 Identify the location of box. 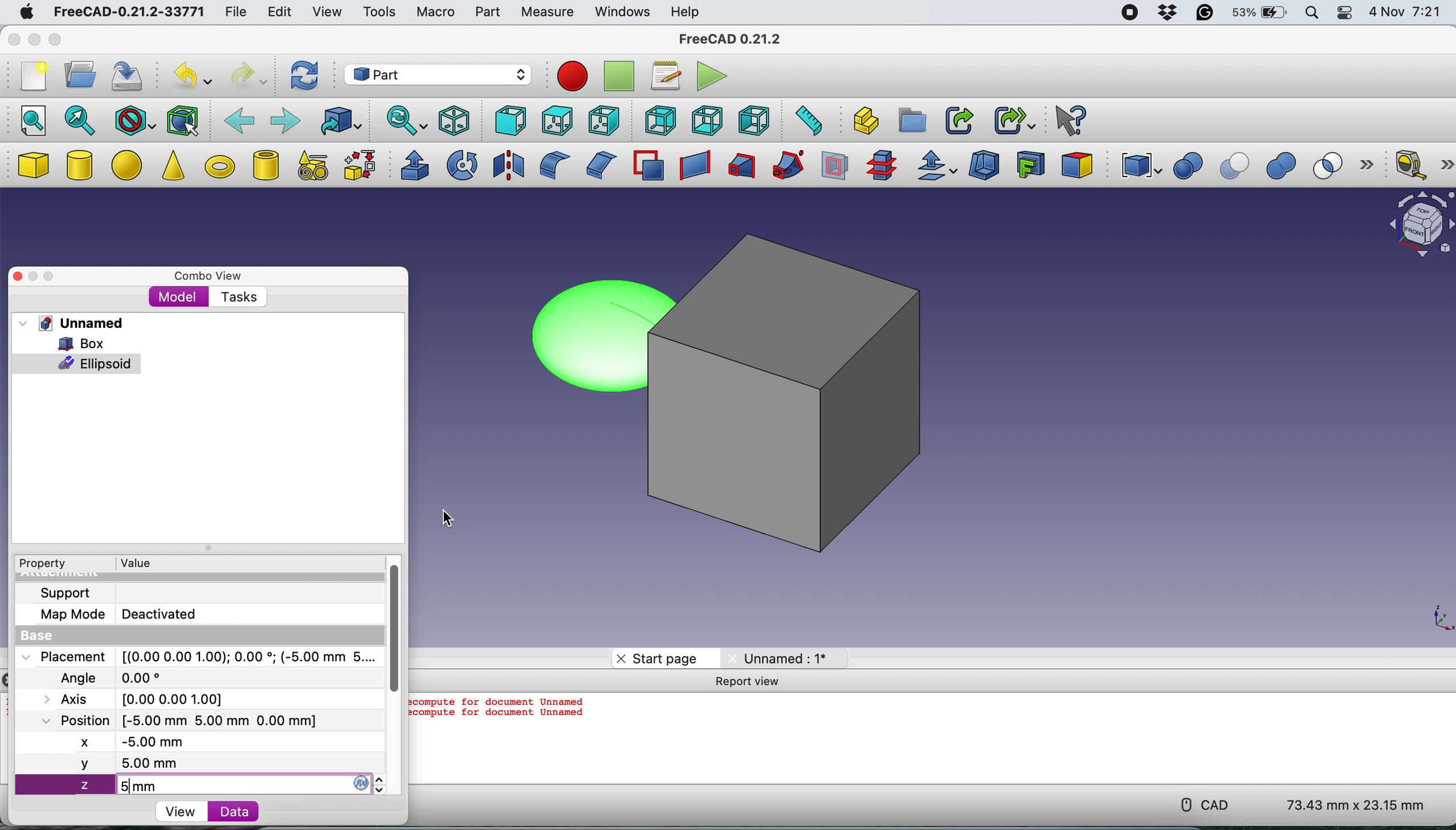
(32, 166).